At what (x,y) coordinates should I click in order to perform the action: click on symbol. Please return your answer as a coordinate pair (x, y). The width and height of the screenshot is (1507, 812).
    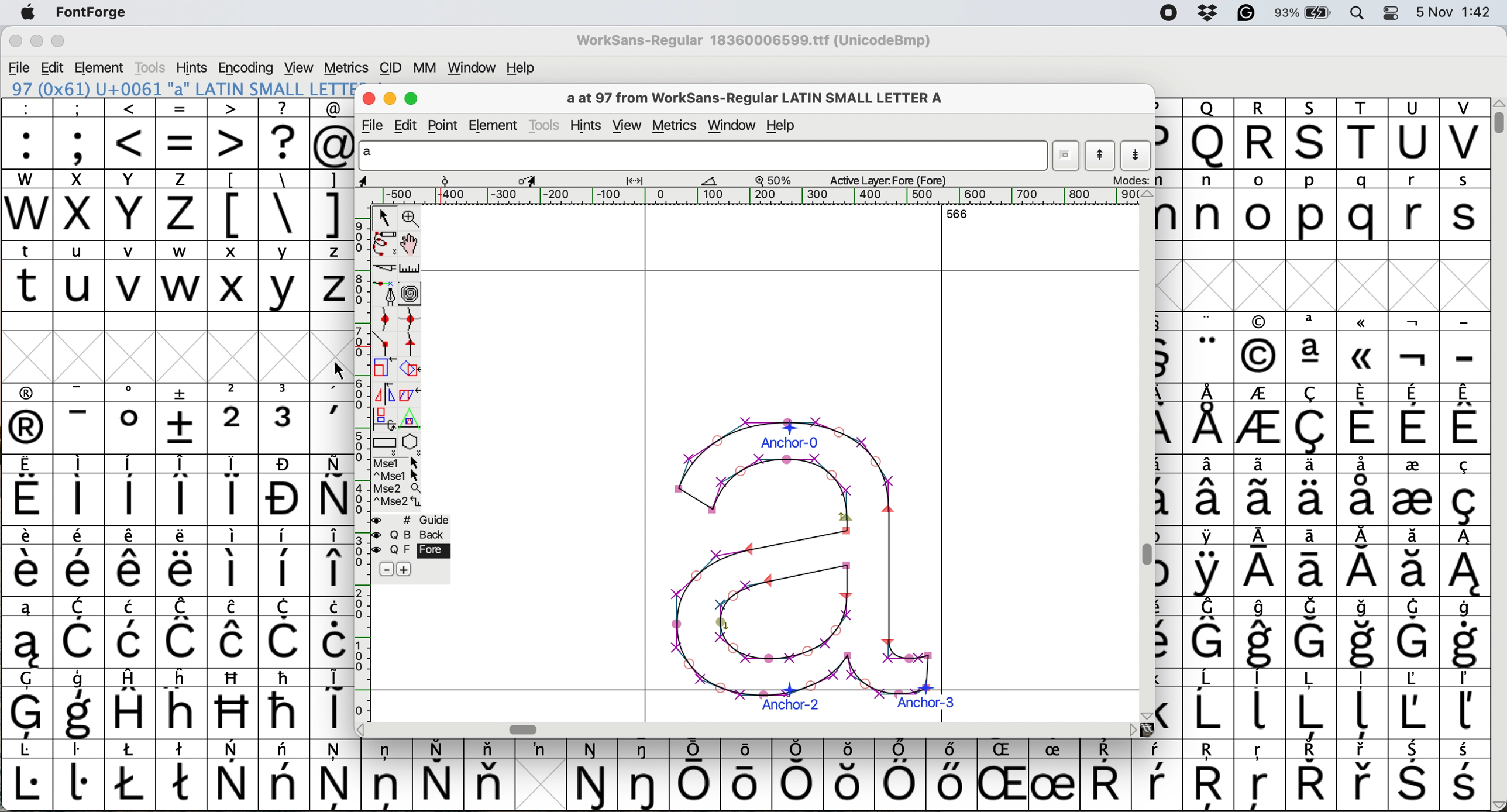
    Looking at the image, I should click on (1261, 702).